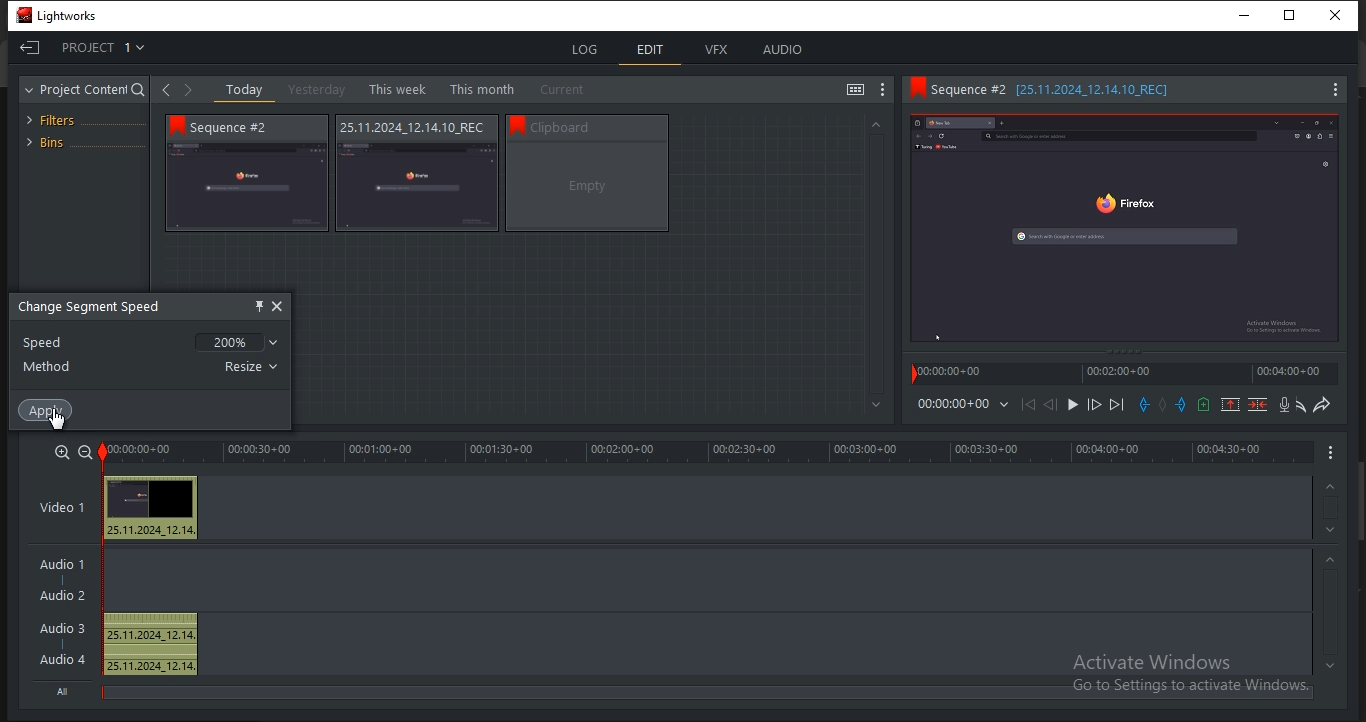  What do you see at coordinates (1189, 674) in the screenshot?
I see `Activate windows, Go to settings to activate windows` at bounding box center [1189, 674].